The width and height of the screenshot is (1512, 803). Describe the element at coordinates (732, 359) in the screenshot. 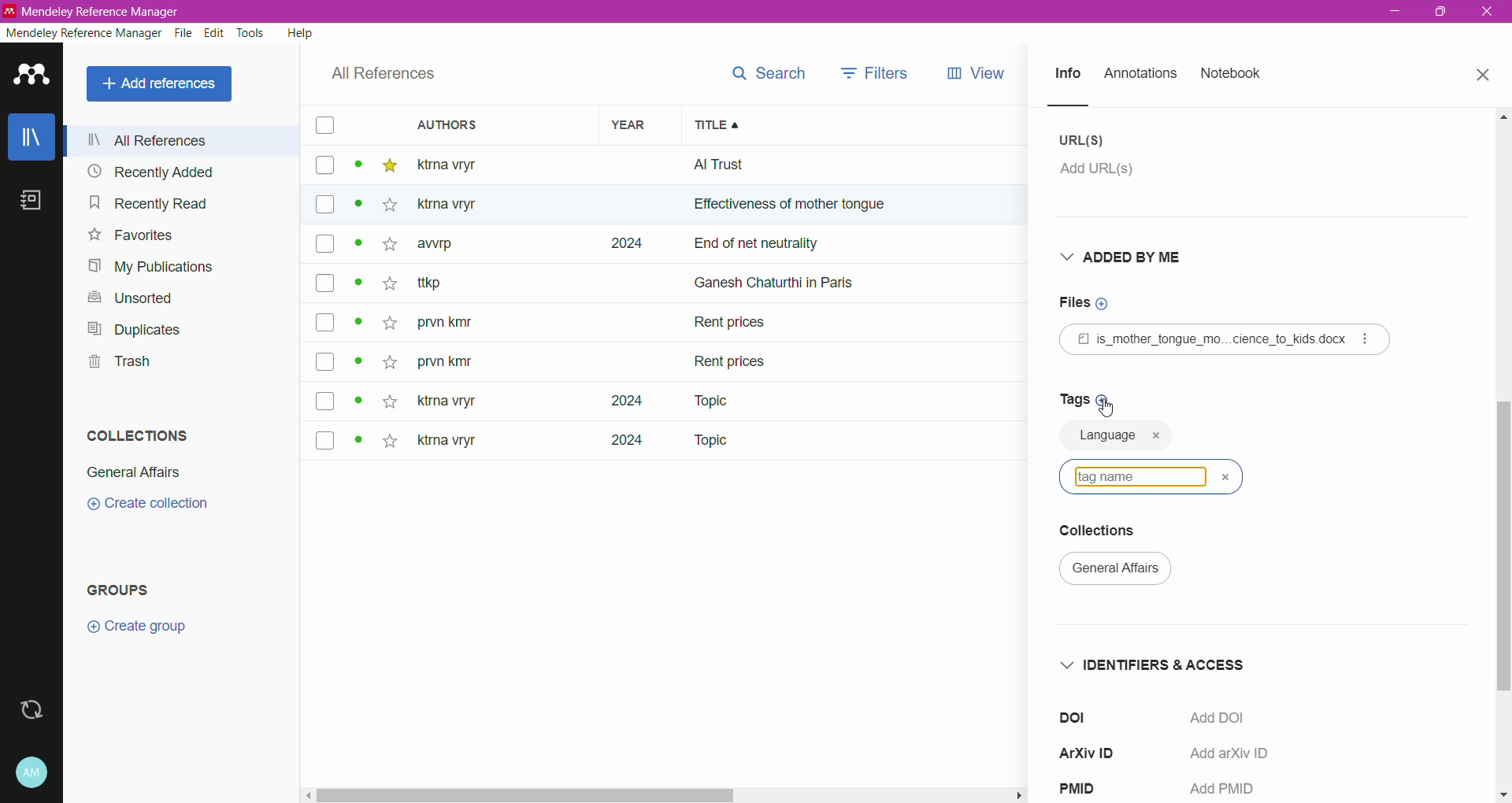

I see `rent prices ` at that location.